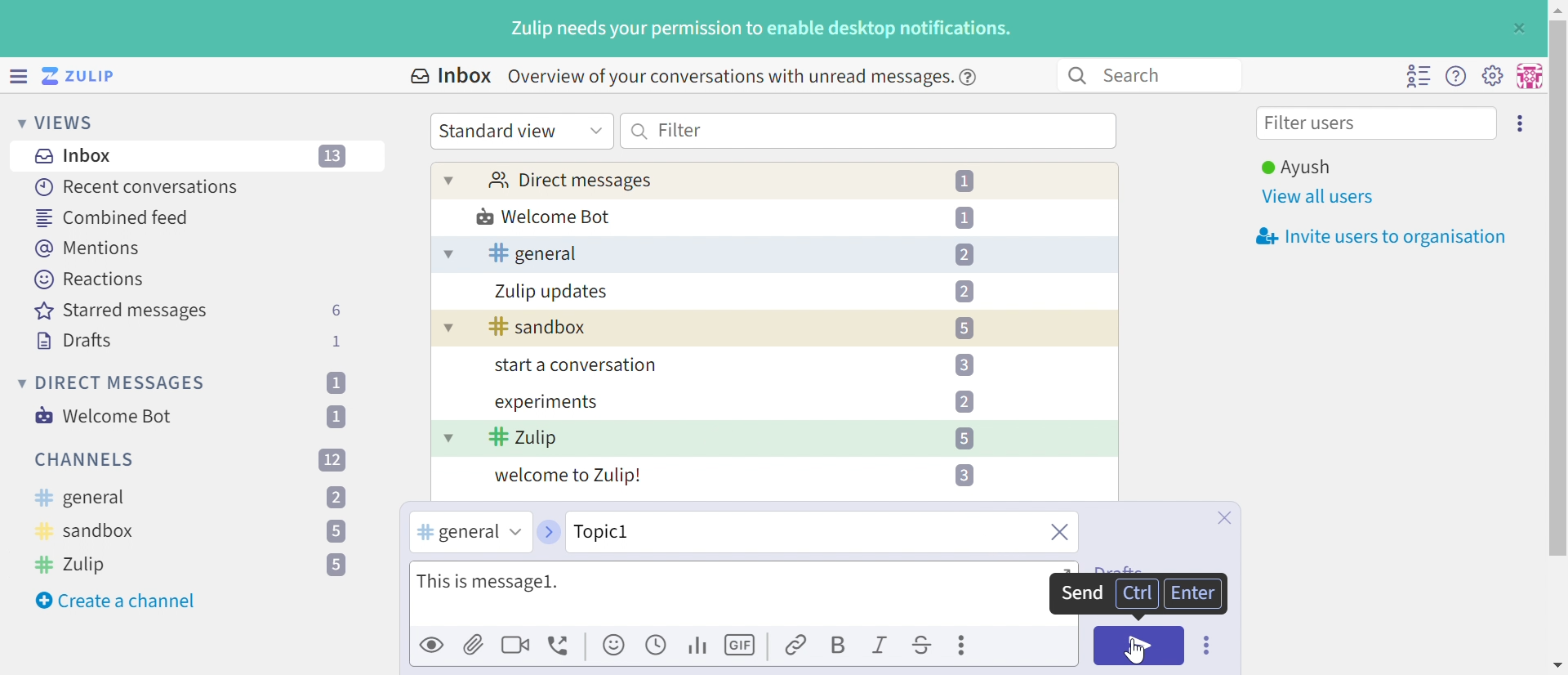 The image size is (1568, 675). Describe the element at coordinates (923, 647) in the screenshot. I see `Strikethrough` at that location.